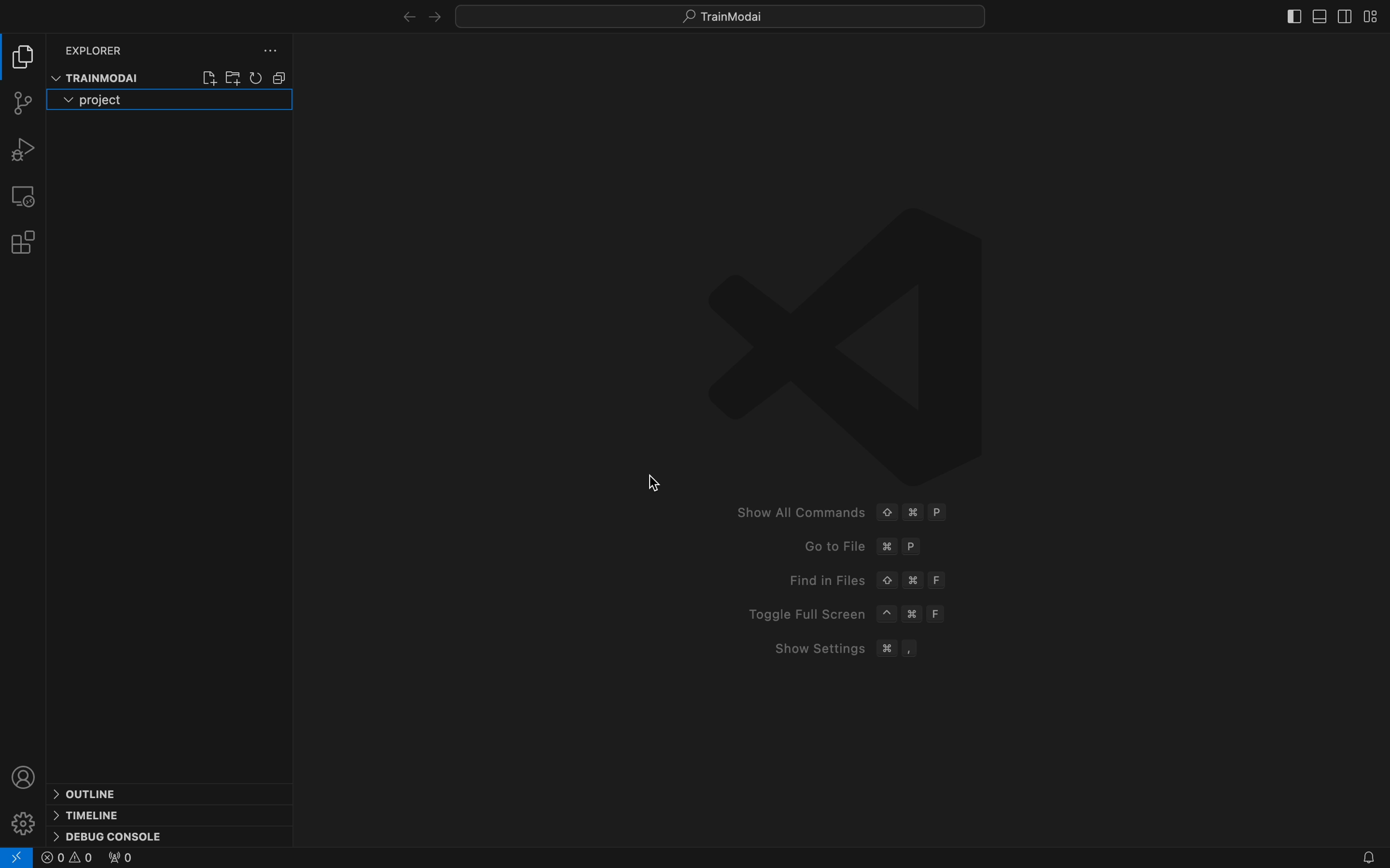  Describe the element at coordinates (25, 59) in the screenshot. I see `file explore` at that location.